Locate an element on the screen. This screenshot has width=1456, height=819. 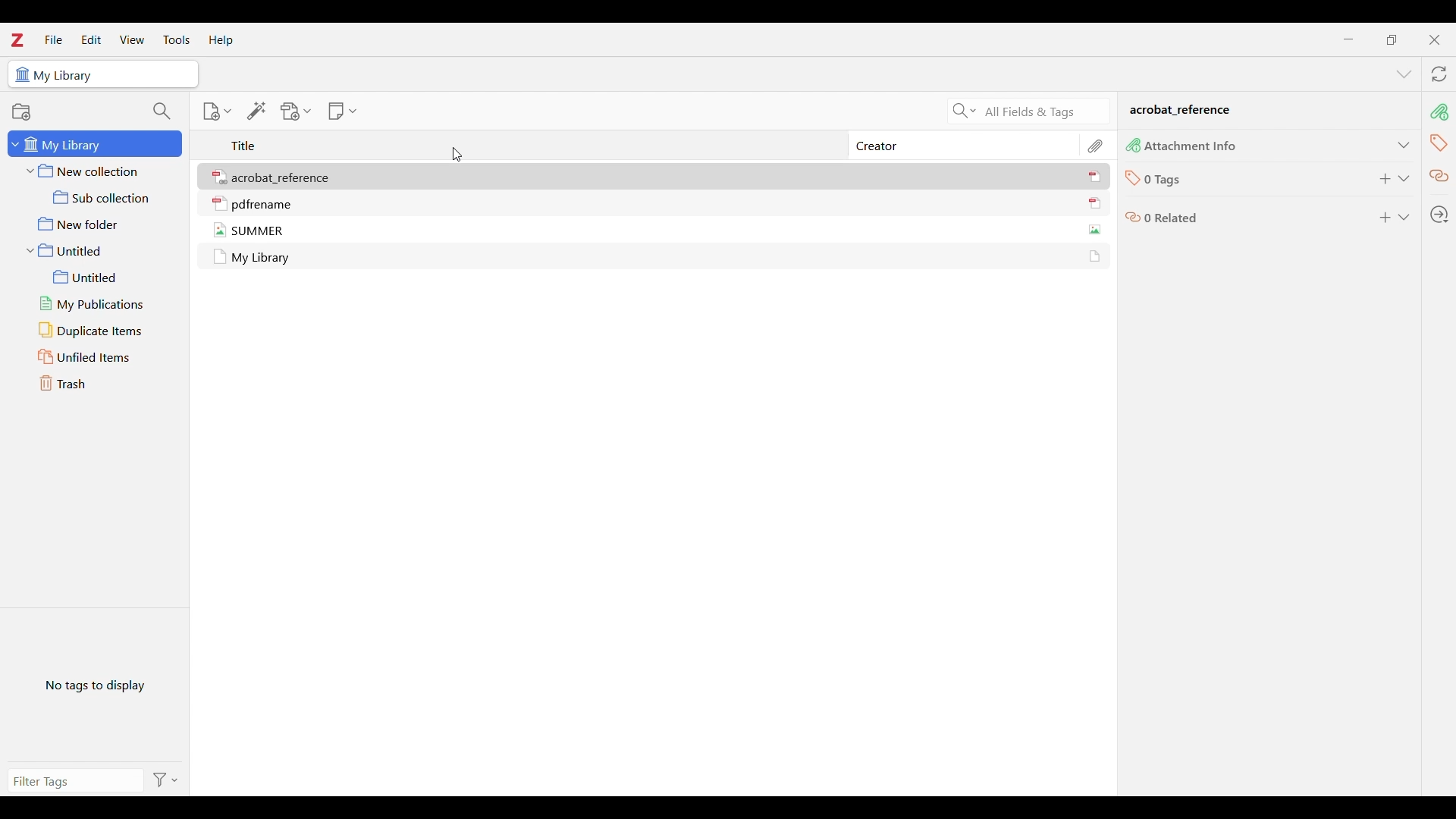
Related is located at coordinates (1439, 177).